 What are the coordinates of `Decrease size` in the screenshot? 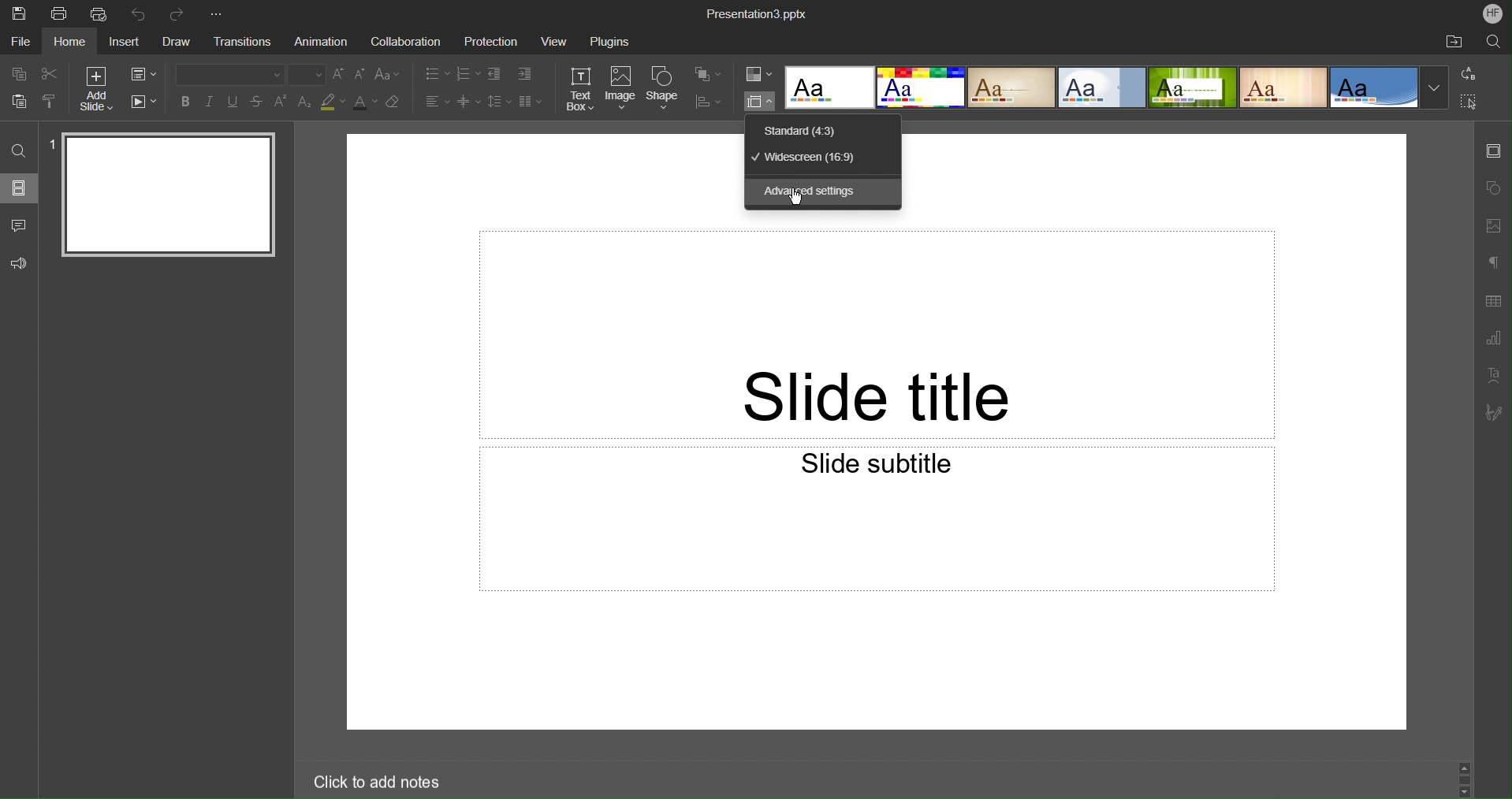 It's located at (361, 76).